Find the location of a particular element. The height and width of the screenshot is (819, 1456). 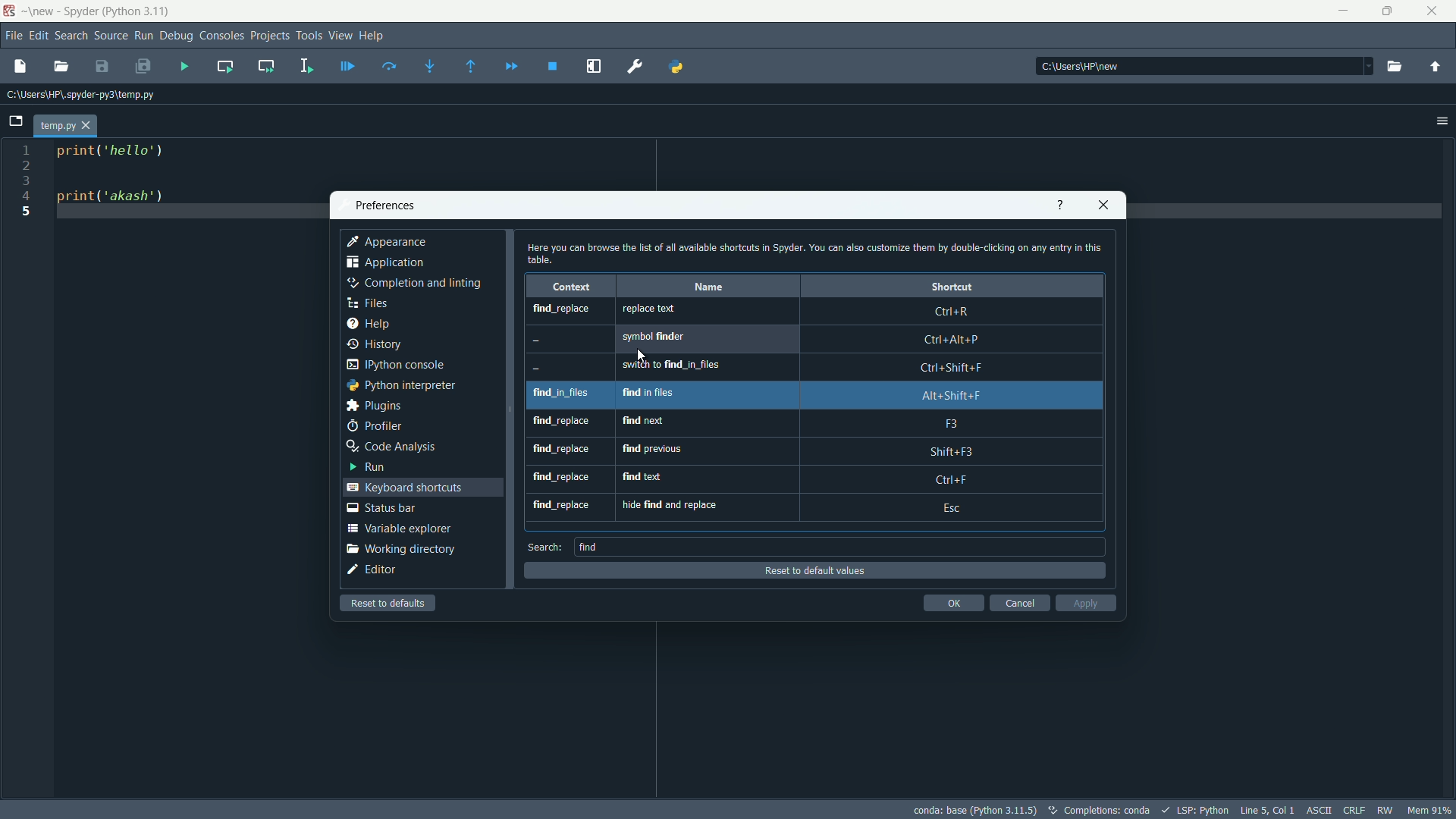

print('akash') is located at coordinates (119, 201).